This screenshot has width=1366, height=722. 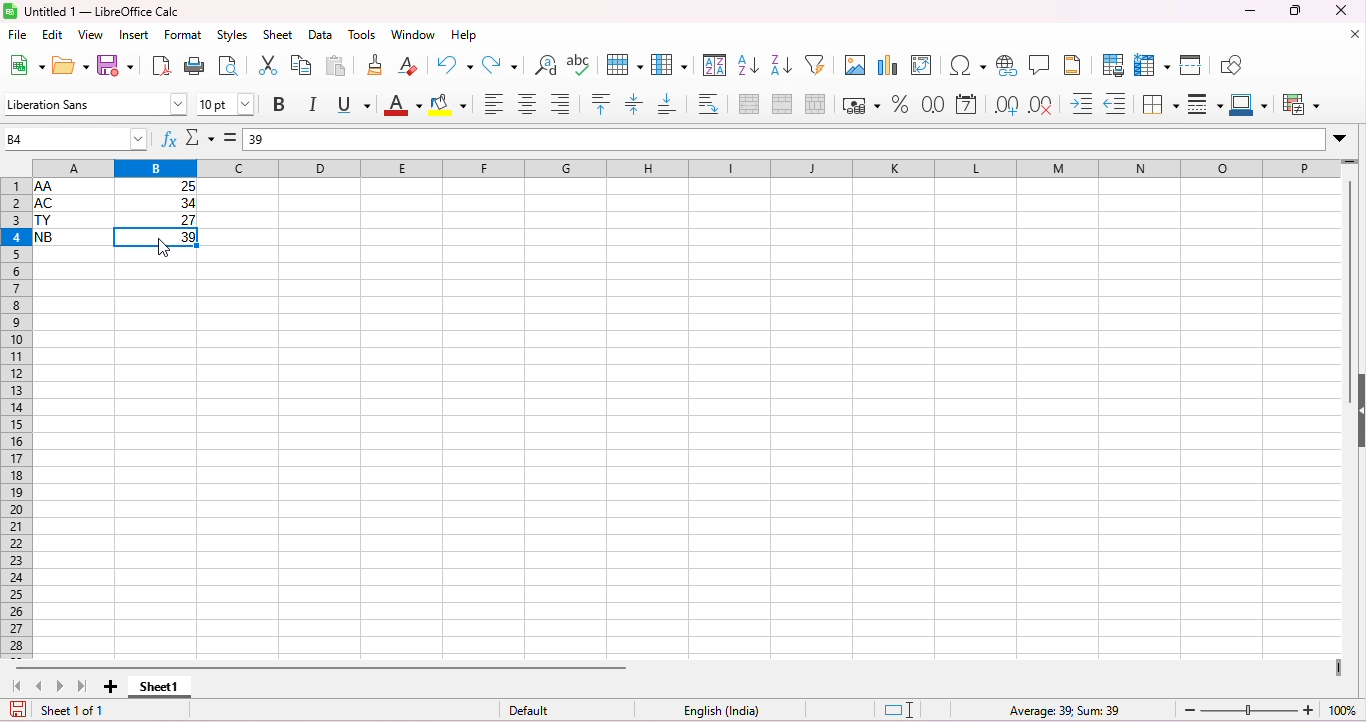 What do you see at coordinates (282, 104) in the screenshot?
I see `bold` at bounding box center [282, 104].